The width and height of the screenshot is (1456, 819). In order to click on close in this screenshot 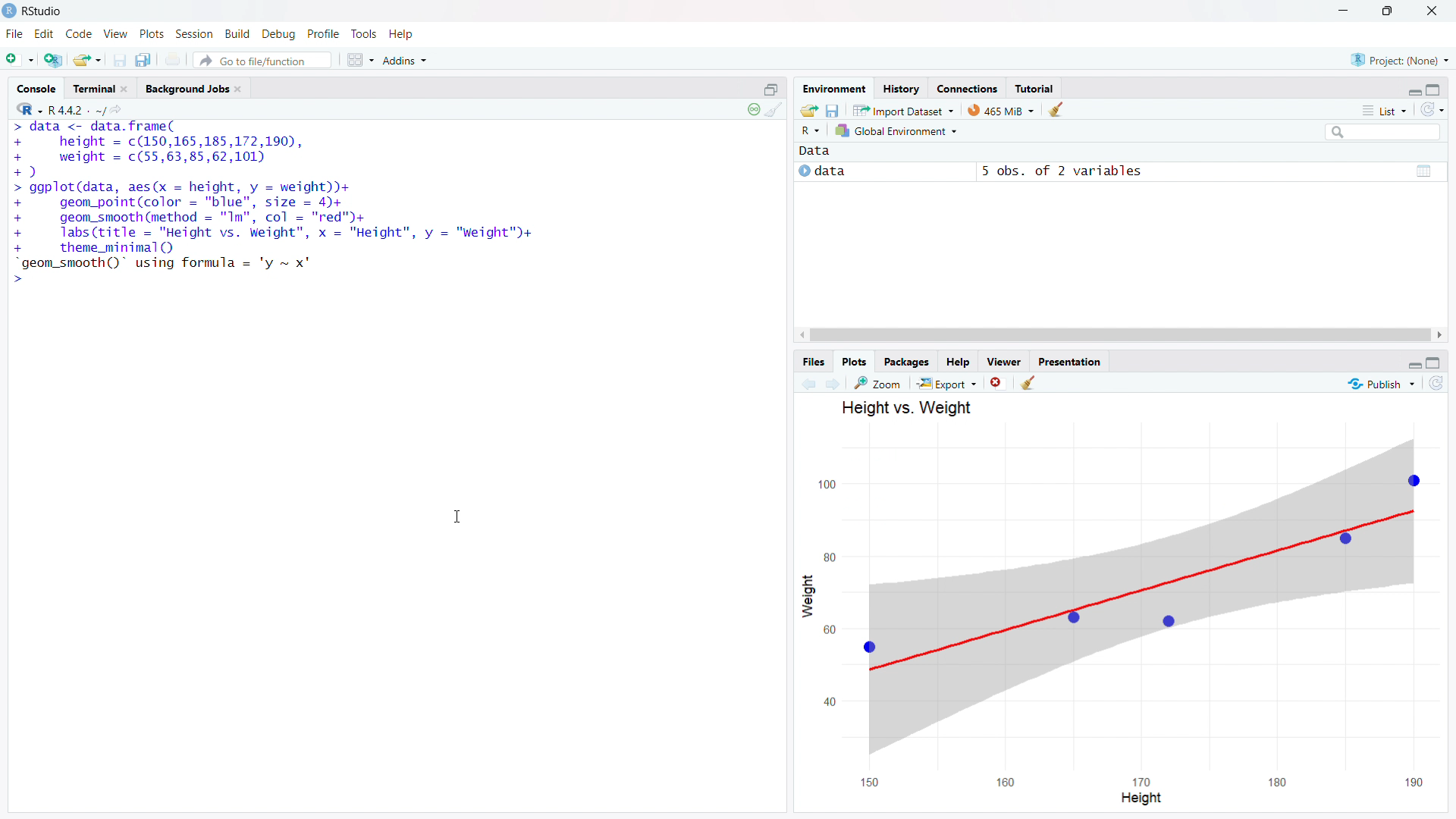, I will do `click(1432, 11)`.